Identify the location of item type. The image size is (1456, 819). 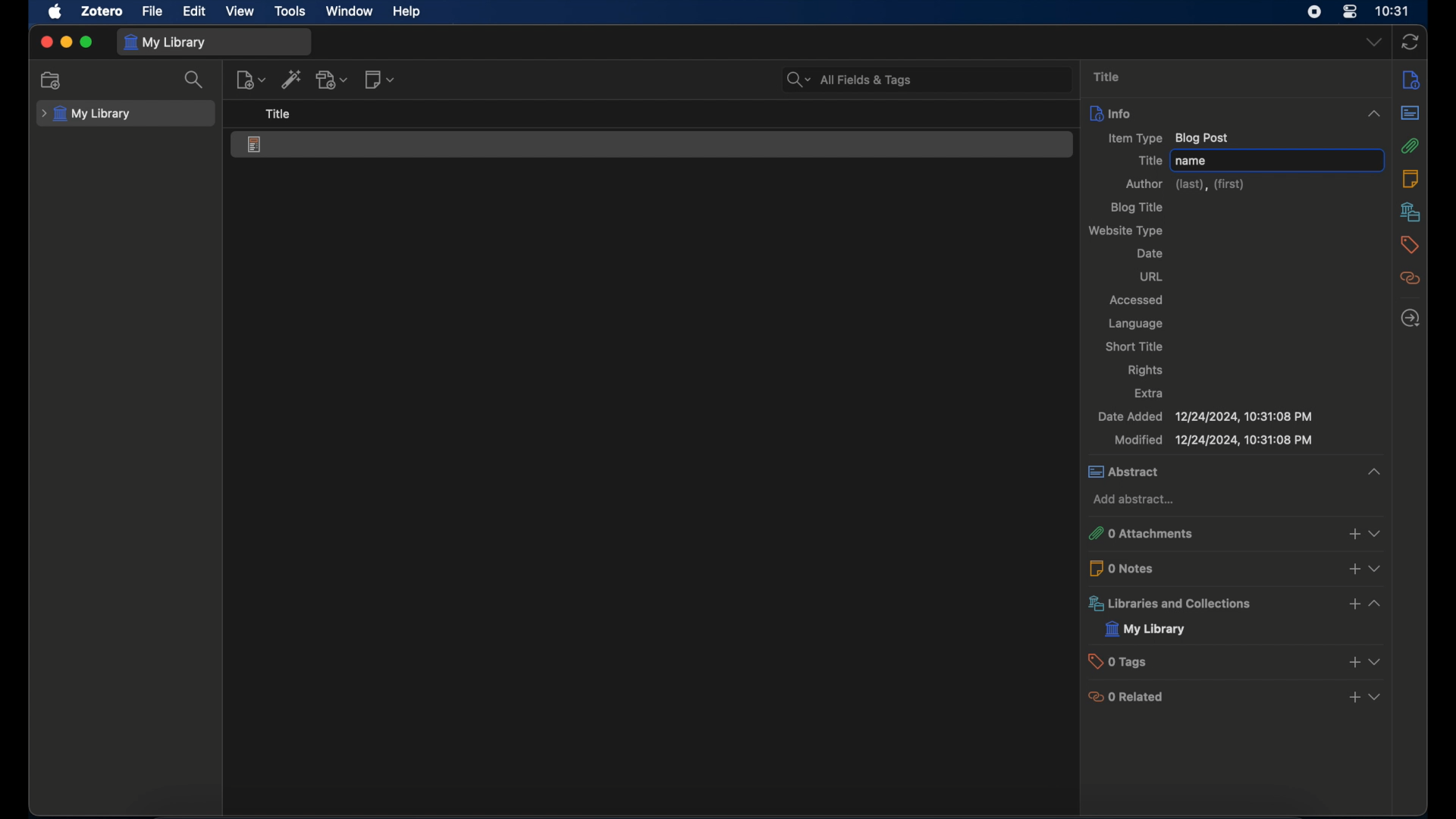
(1169, 137).